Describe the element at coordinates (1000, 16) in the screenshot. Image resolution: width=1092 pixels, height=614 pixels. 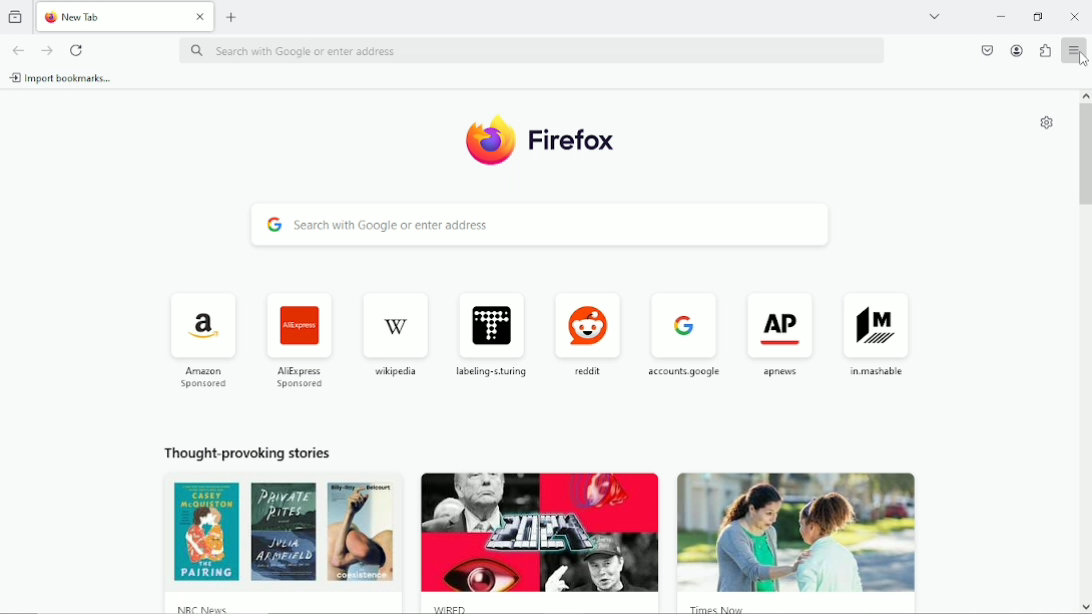
I see `Minimize` at that location.